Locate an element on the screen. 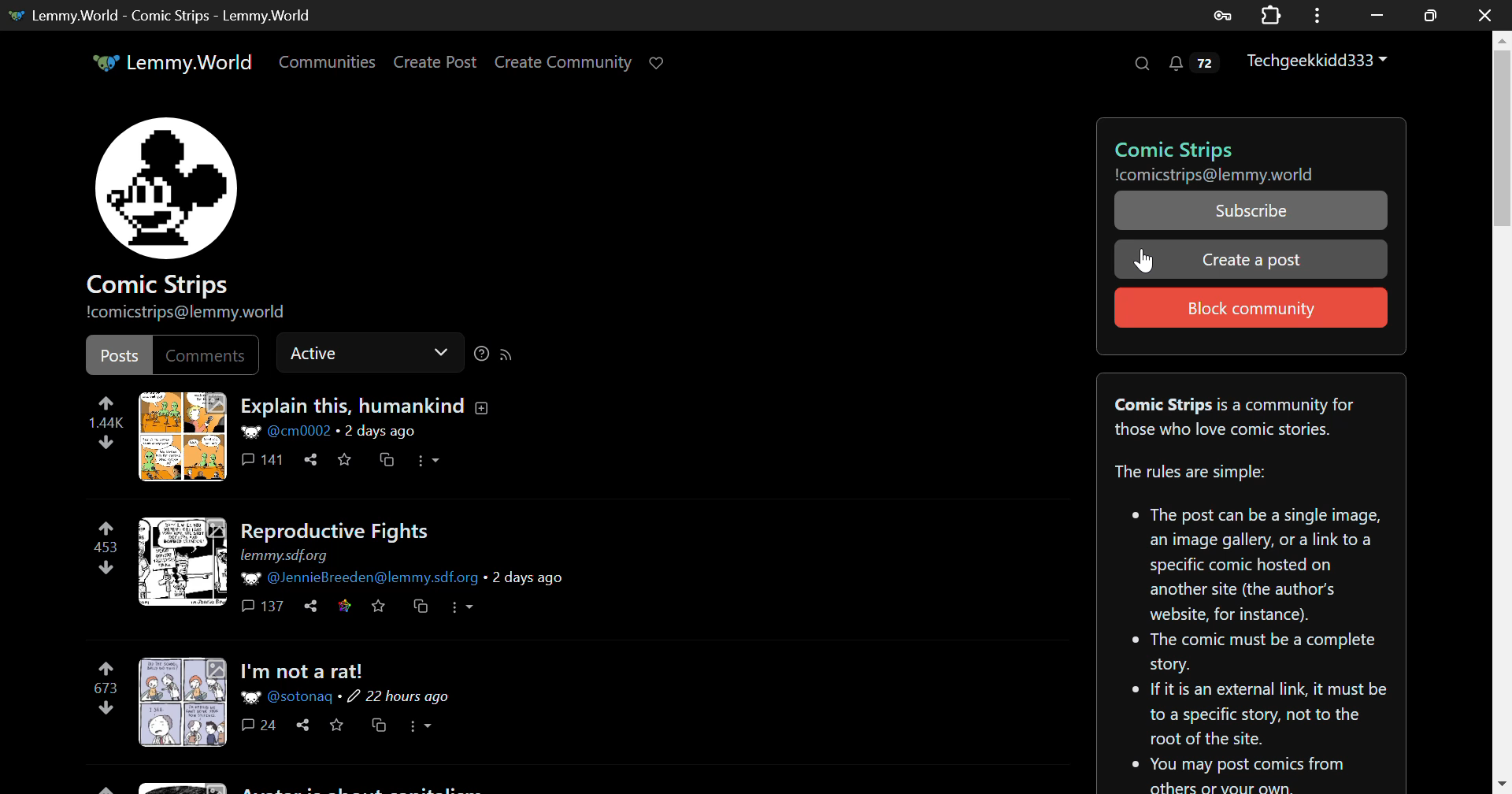 The height and width of the screenshot is (794, 1512). Cross-post is located at coordinates (379, 724).